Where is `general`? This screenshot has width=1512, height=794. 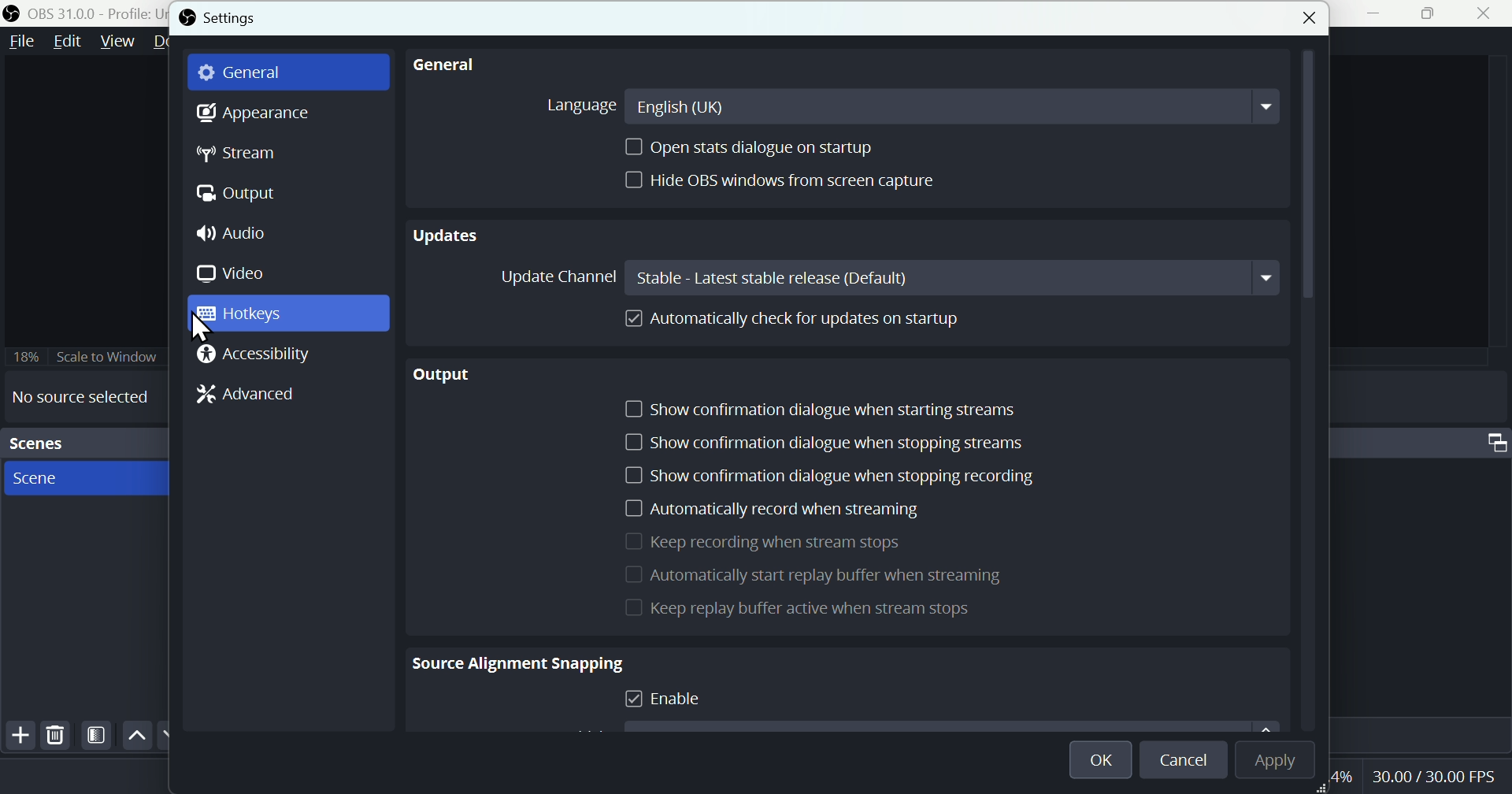
general is located at coordinates (289, 72).